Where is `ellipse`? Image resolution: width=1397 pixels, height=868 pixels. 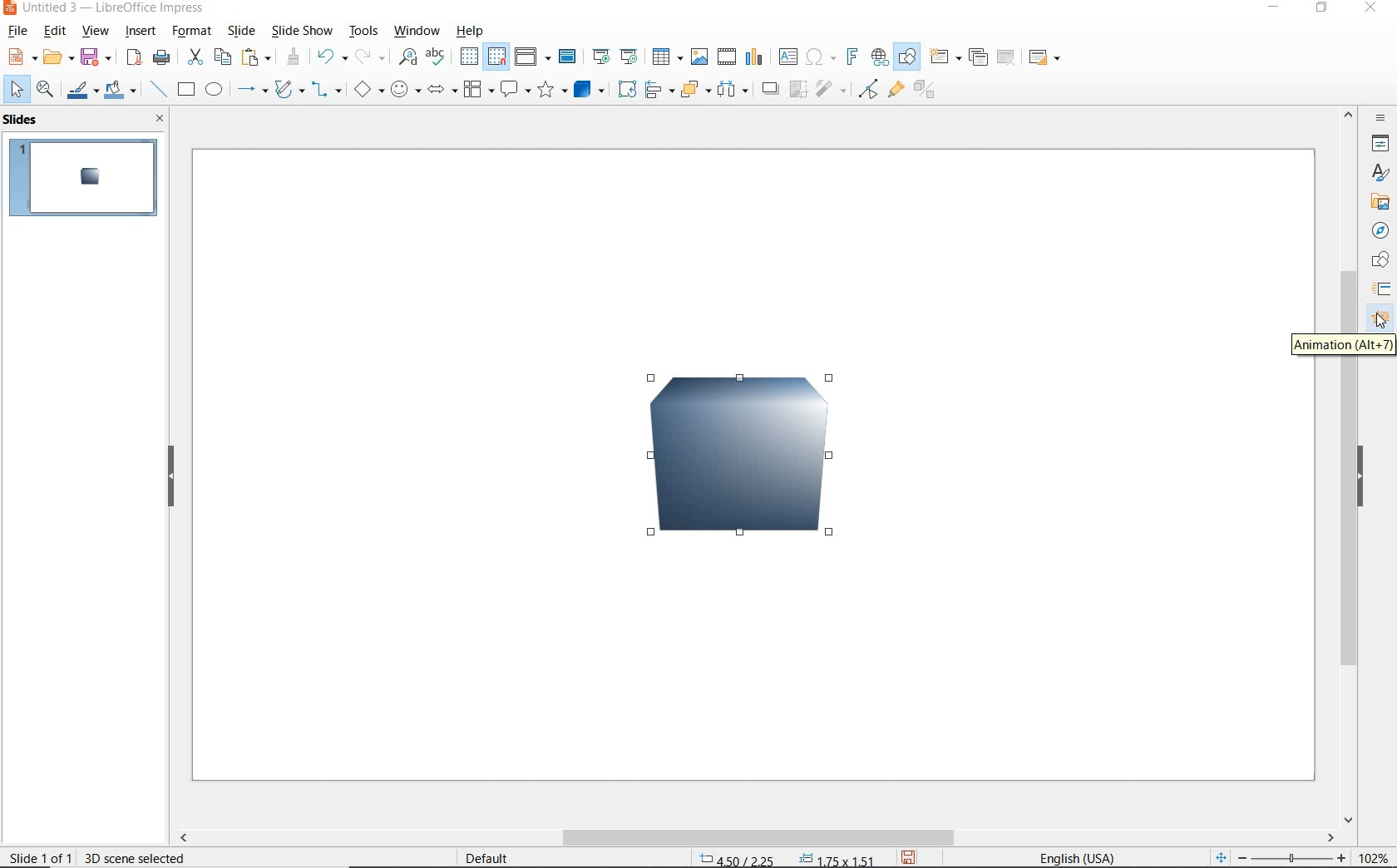 ellipse is located at coordinates (214, 91).